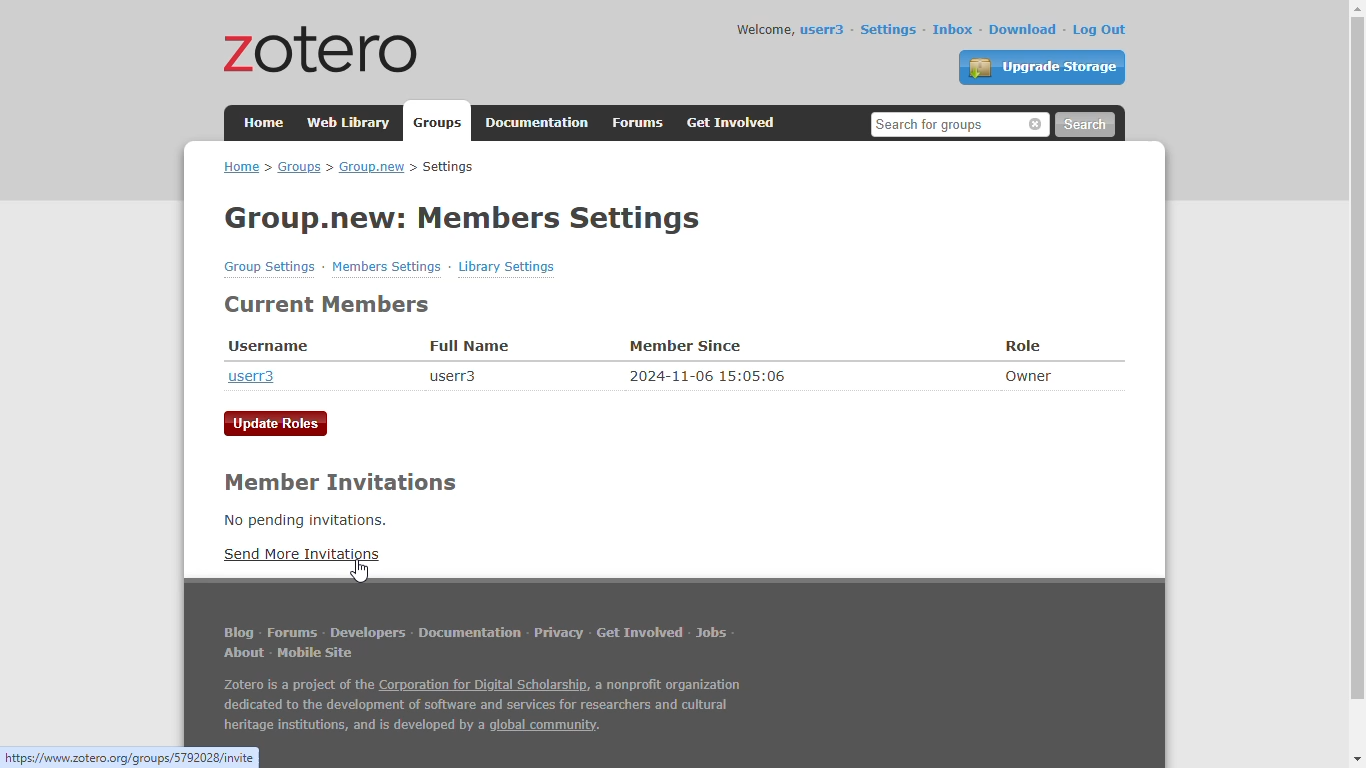 Image resolution: width=1366 pixels, height=768 pixels. Describe the element at coordinates (277, 424) in the screenshot. I see `update roles` at that location.